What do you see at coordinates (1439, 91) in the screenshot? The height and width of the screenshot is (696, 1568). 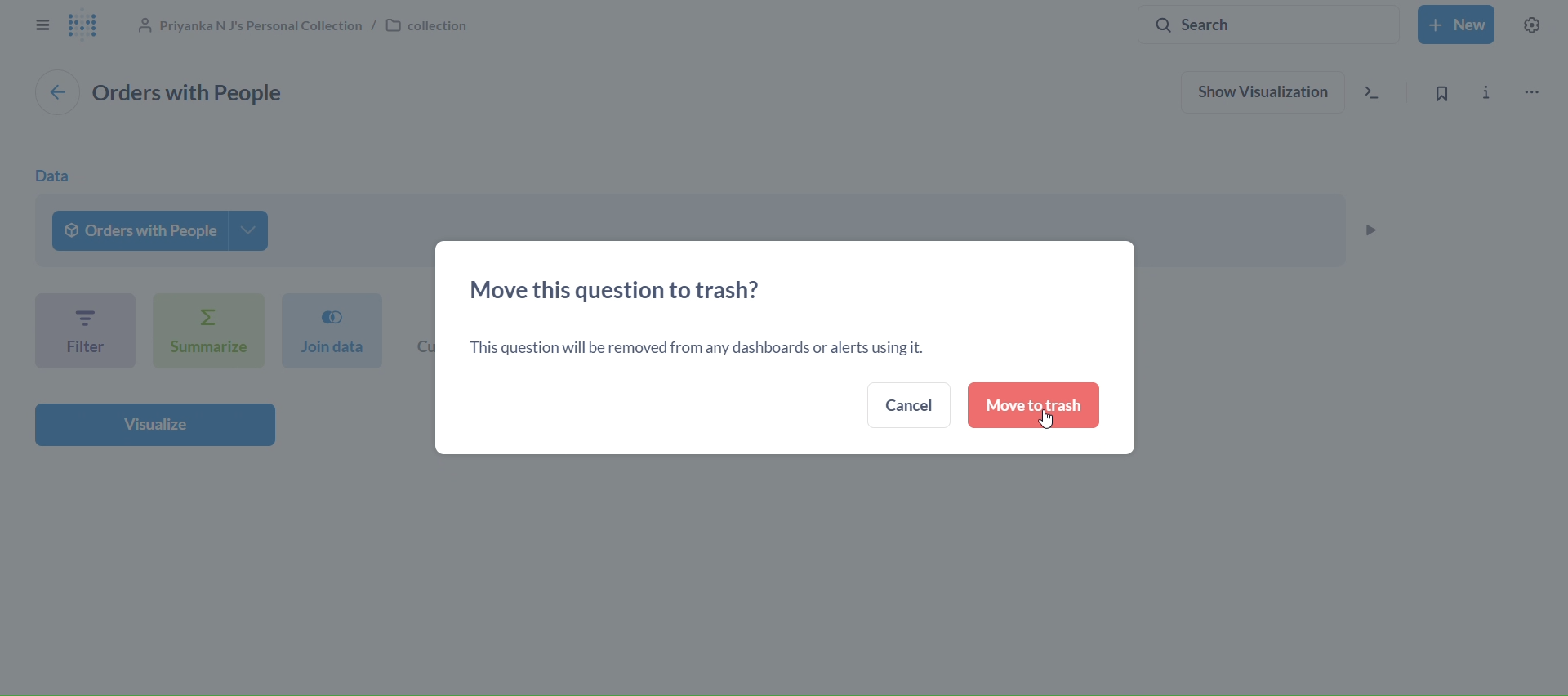 I see `bookmark` at bounding box center [1439, 91].